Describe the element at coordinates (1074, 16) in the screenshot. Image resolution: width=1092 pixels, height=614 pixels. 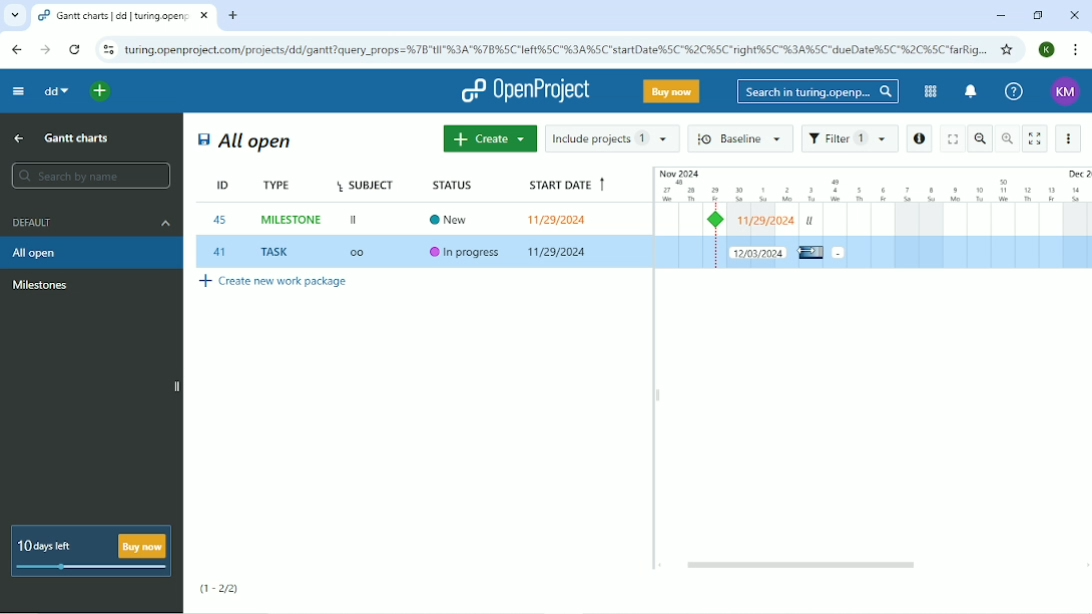
I see `Close` at that location.